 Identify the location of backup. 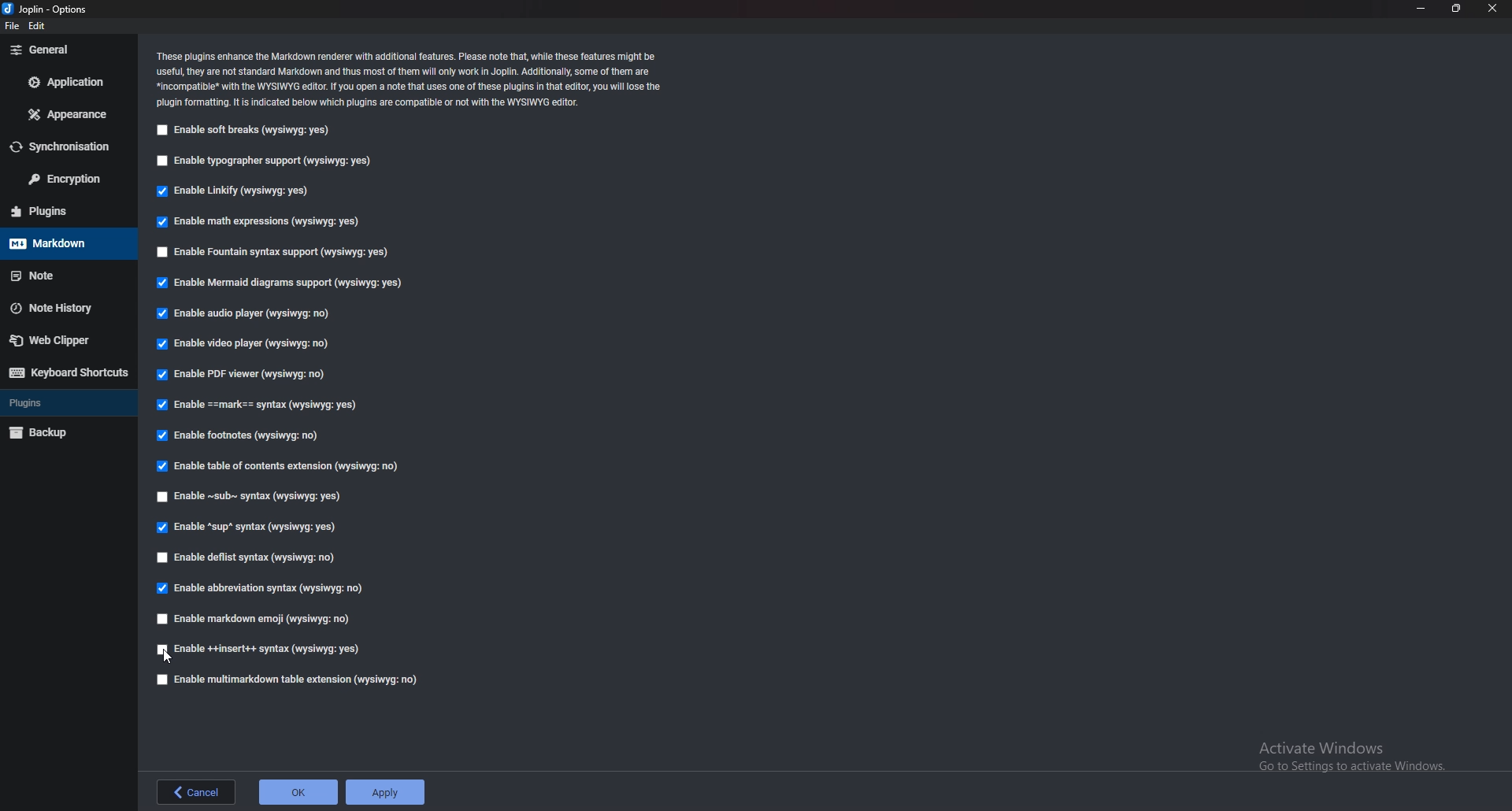
(66, 432).